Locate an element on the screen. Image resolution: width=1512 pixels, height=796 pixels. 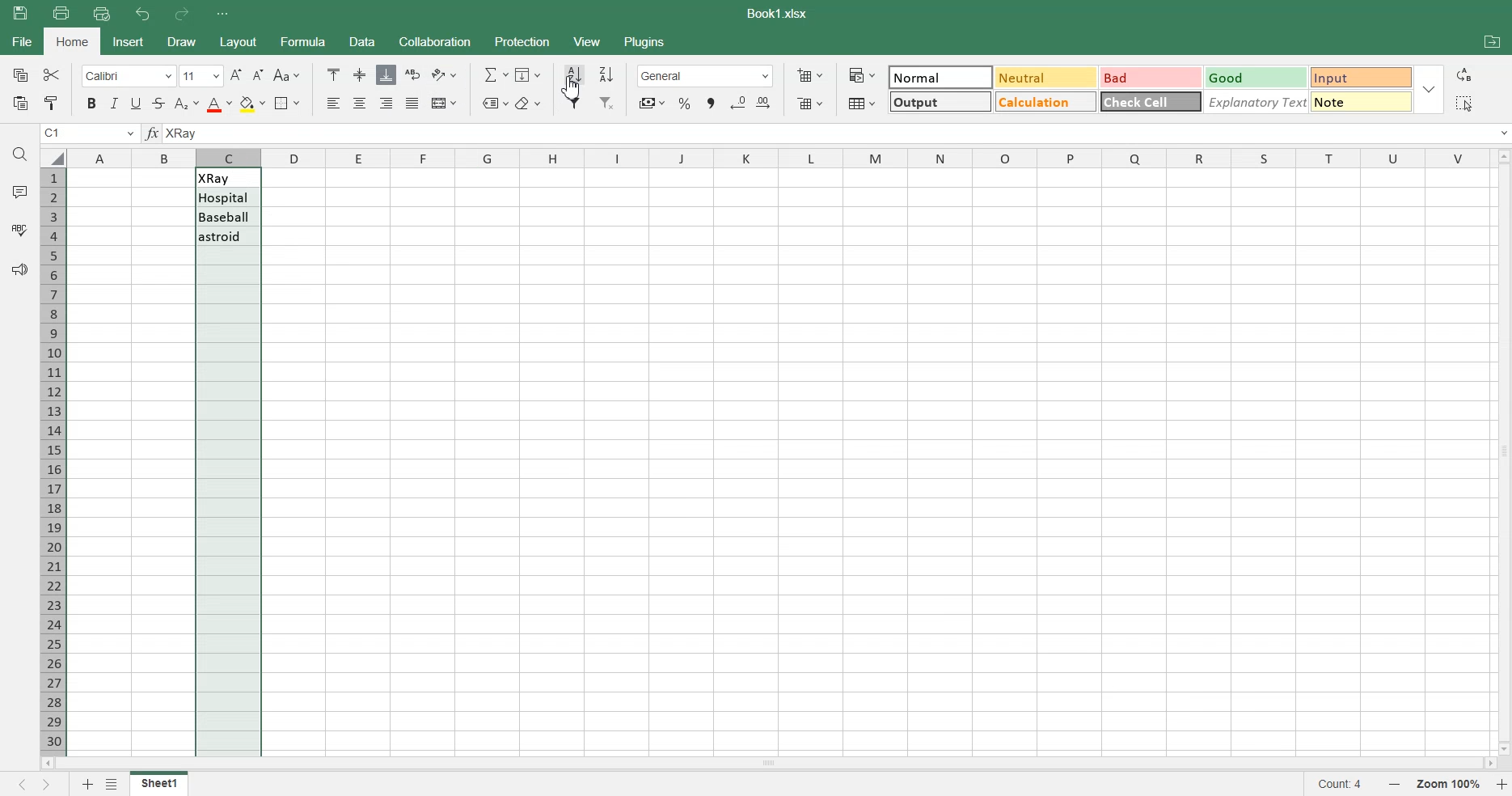
Subscript is located at coordinates (186, 103).